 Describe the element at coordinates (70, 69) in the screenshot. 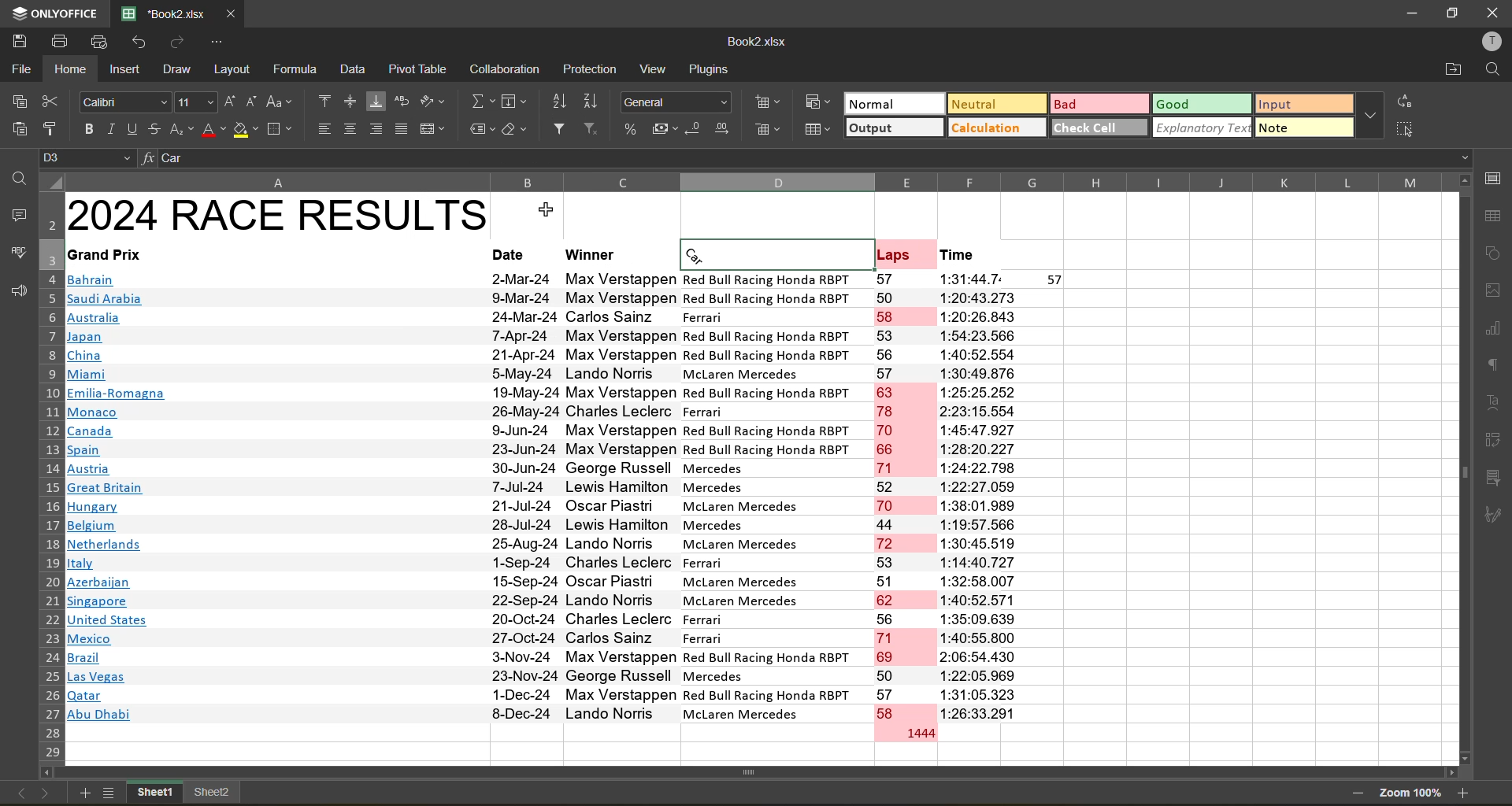

I see `home` at that location.